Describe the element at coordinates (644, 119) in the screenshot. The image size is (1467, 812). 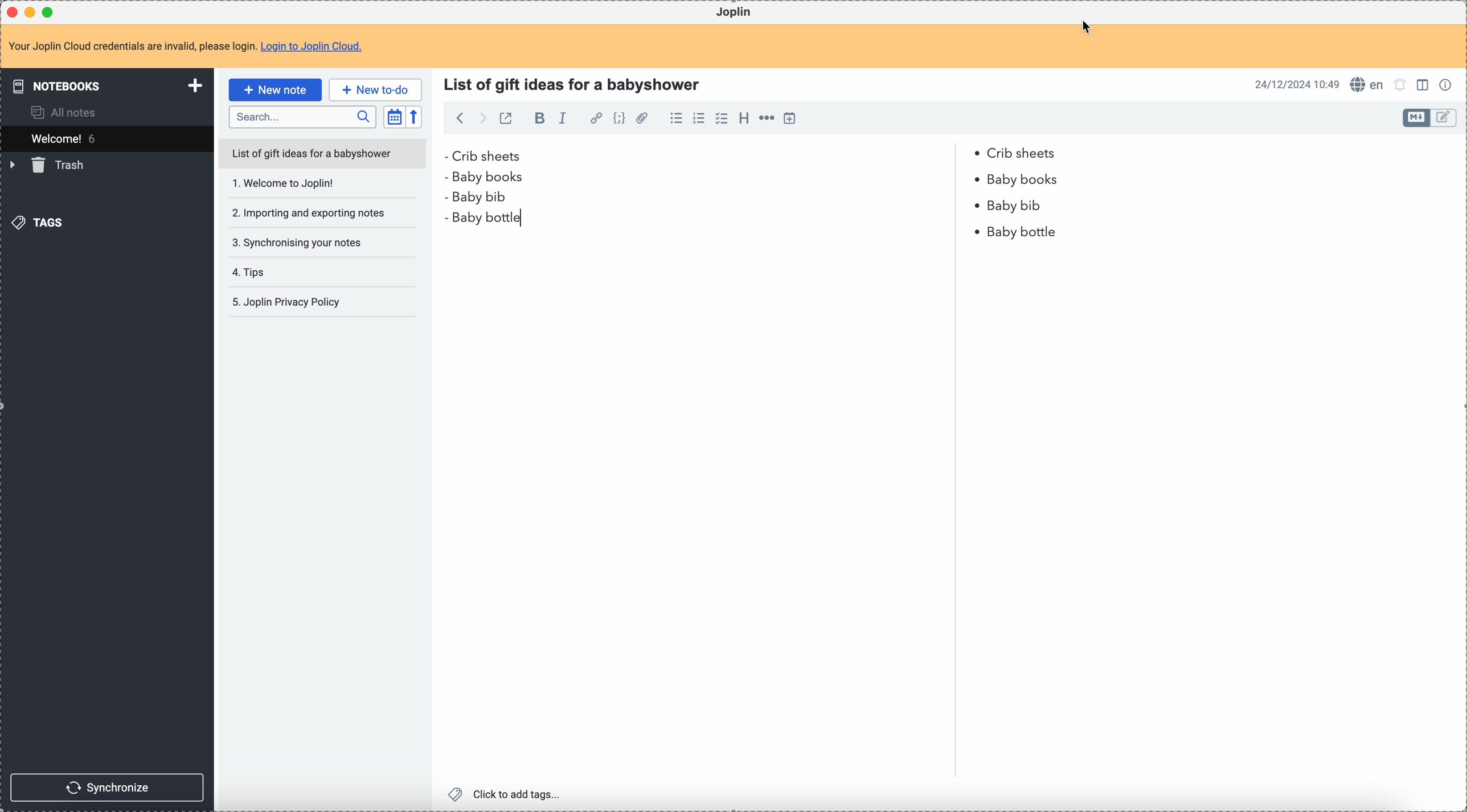
I see `attach file` at that location.